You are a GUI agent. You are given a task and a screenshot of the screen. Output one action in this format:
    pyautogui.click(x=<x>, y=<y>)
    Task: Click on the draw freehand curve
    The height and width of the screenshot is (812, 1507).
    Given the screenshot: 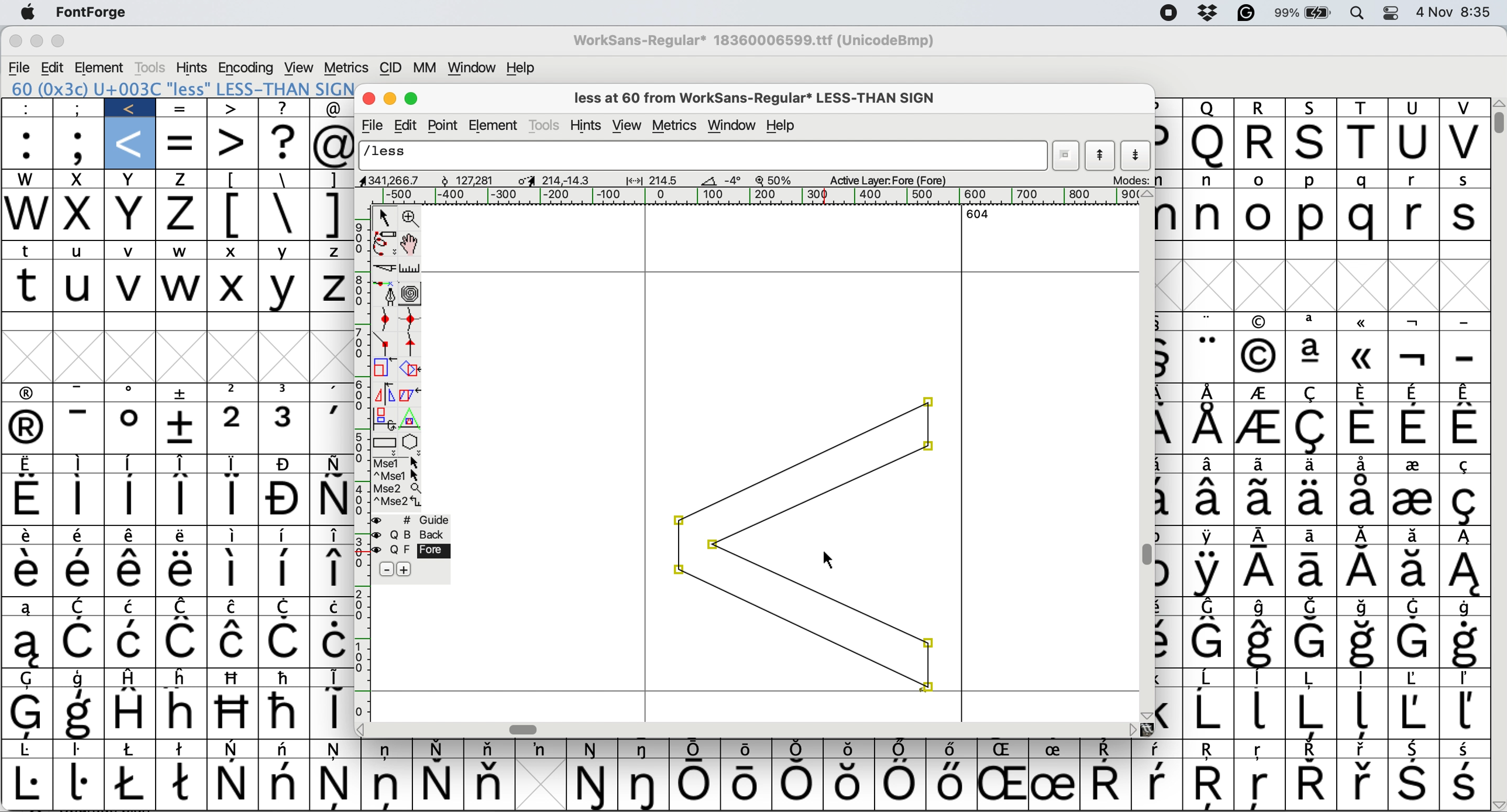 What is the action you would take?
    pyautogui.click(x=383, y=243)
    